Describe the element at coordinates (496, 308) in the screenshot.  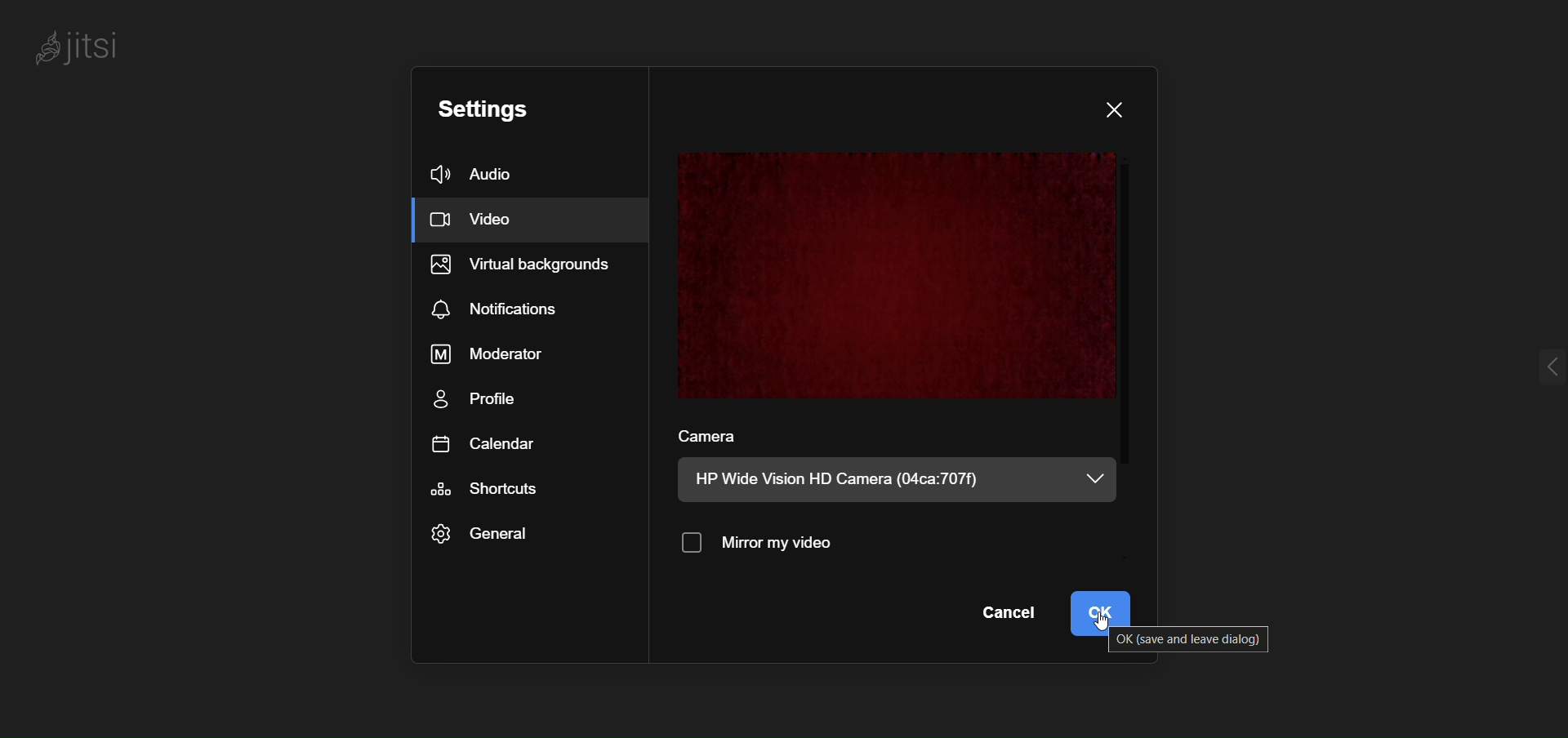
I see `notification` at that location.